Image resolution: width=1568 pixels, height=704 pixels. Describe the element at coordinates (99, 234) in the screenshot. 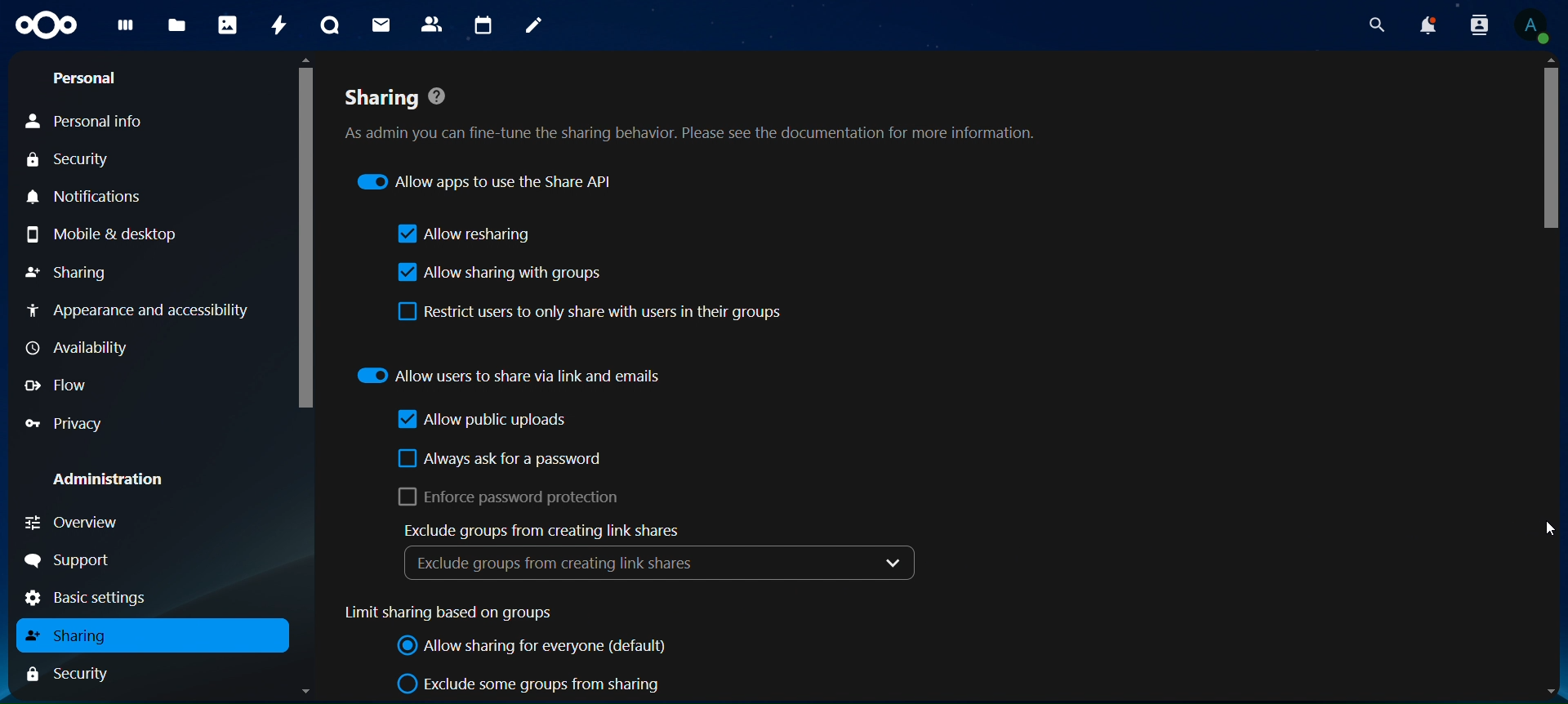

I see `mobile & desktop` at that location.